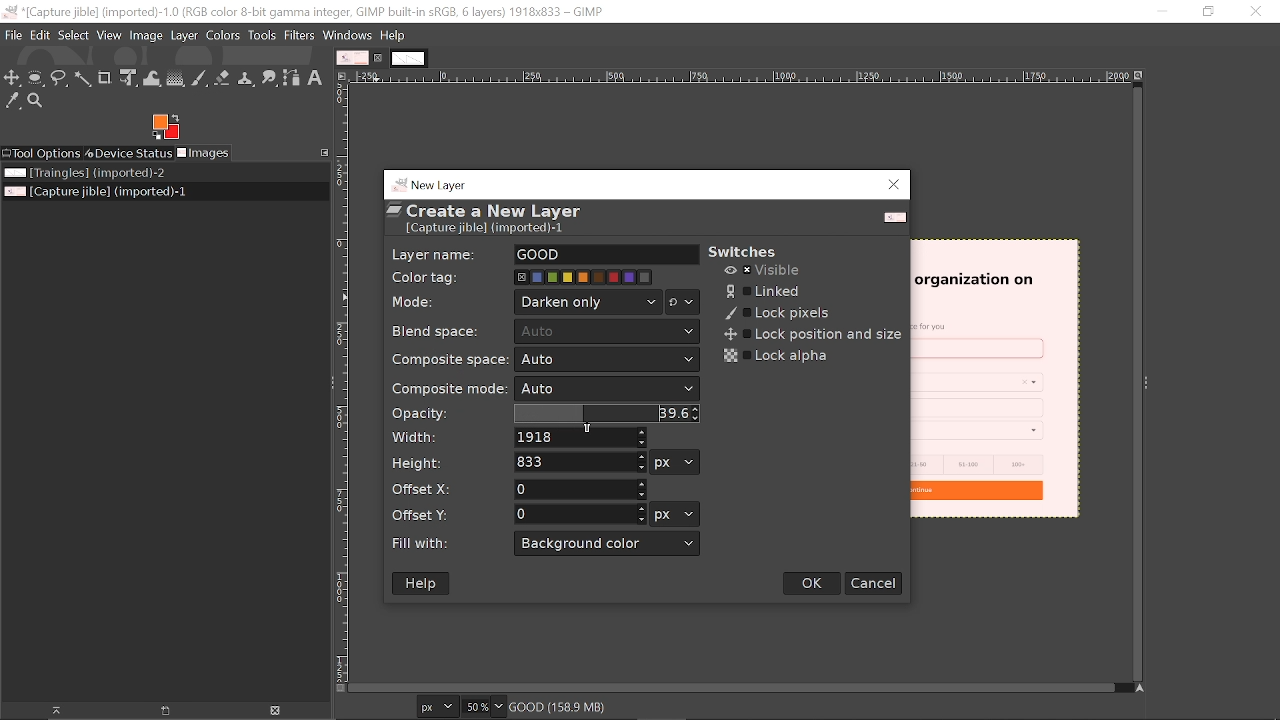  What do you see at coordinates (156, 712) in the screenshot?
I see `New display for the image` at bounding box center [156, 712].